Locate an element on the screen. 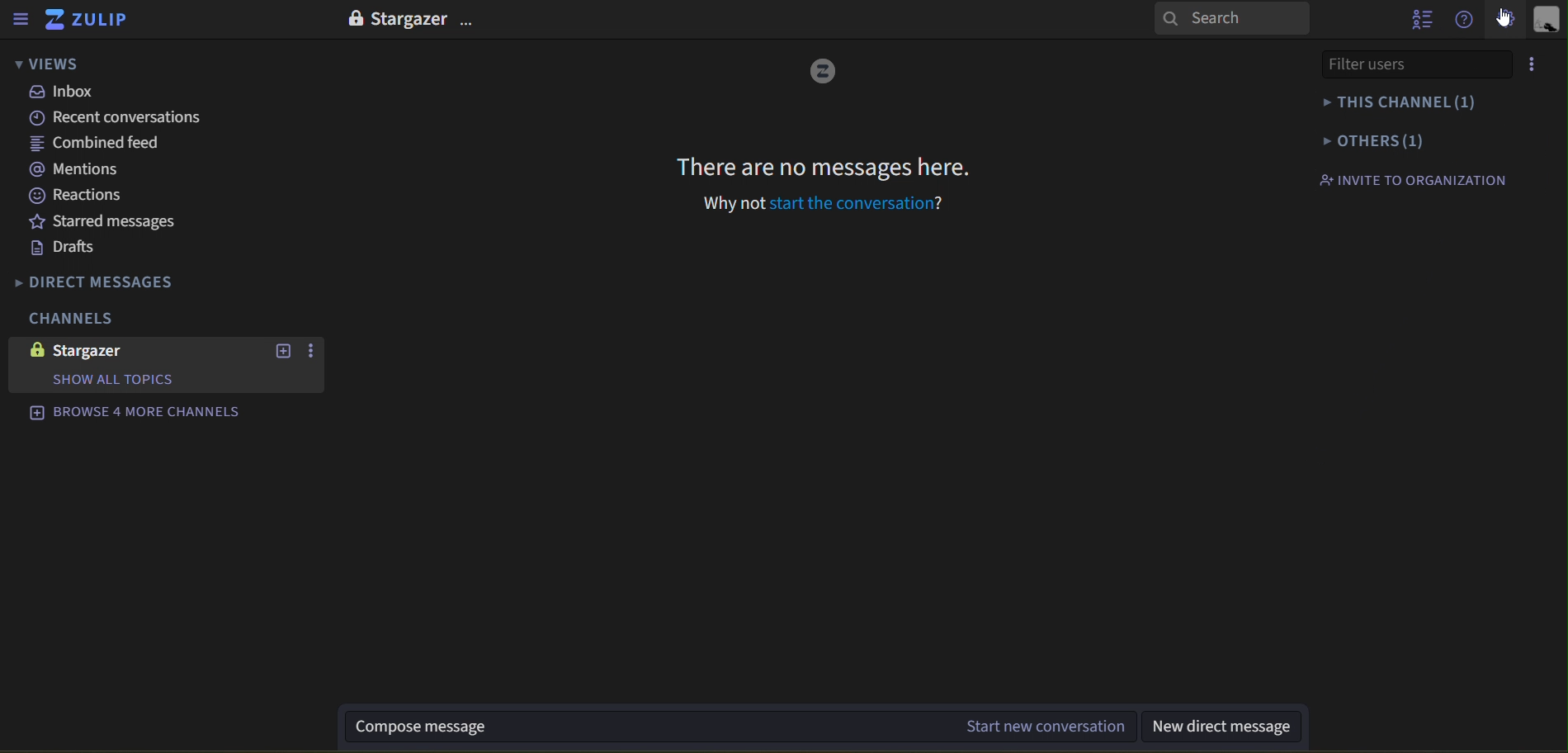 This screenshot has width=1568, height=753. invite to organization is located at coordinates (1415, 179).